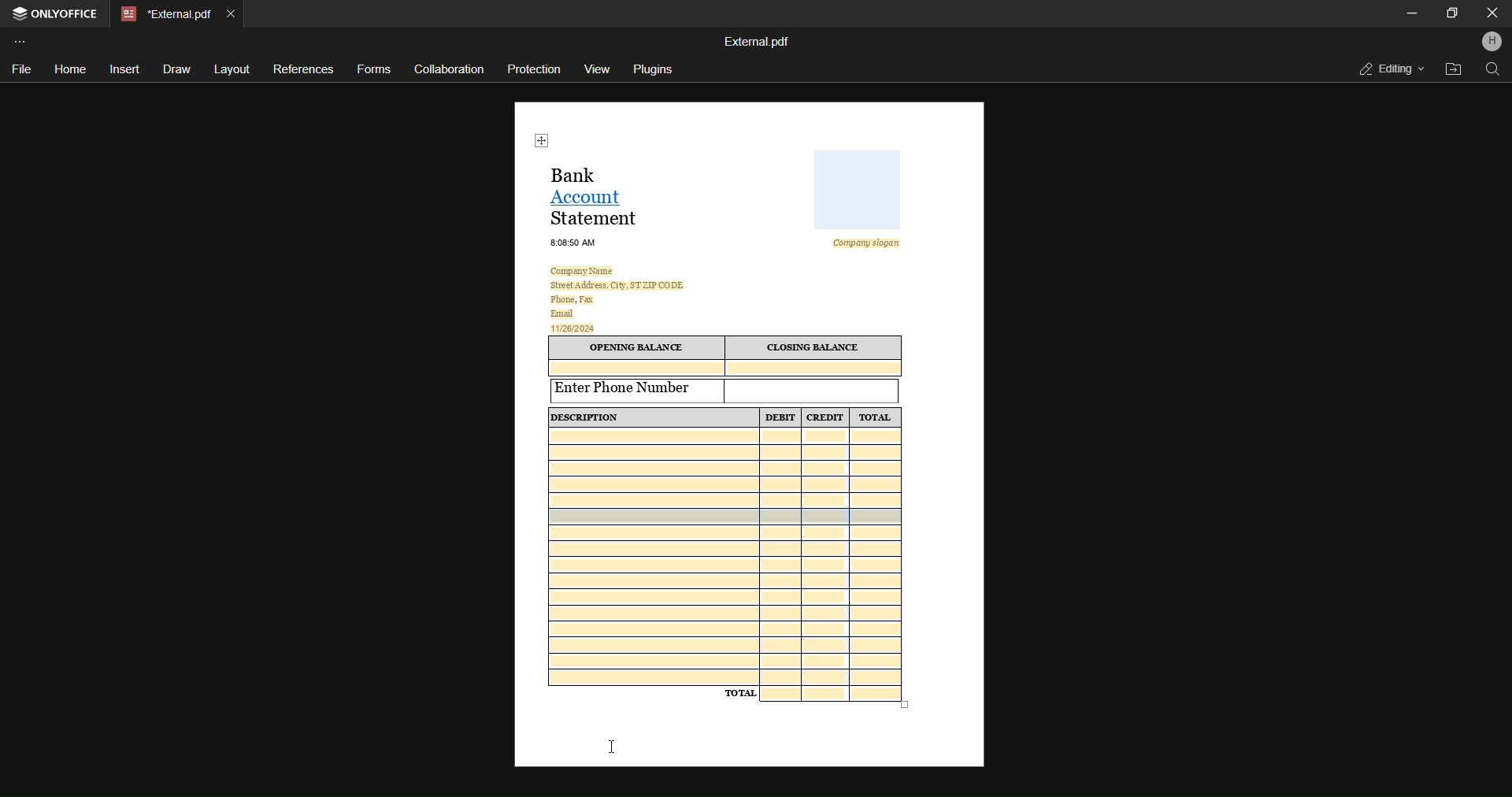 This screenshot has width=1512, height=797. Describe the element at coordinates (813, 390) in the screenshot. I see `Input field` at that location.